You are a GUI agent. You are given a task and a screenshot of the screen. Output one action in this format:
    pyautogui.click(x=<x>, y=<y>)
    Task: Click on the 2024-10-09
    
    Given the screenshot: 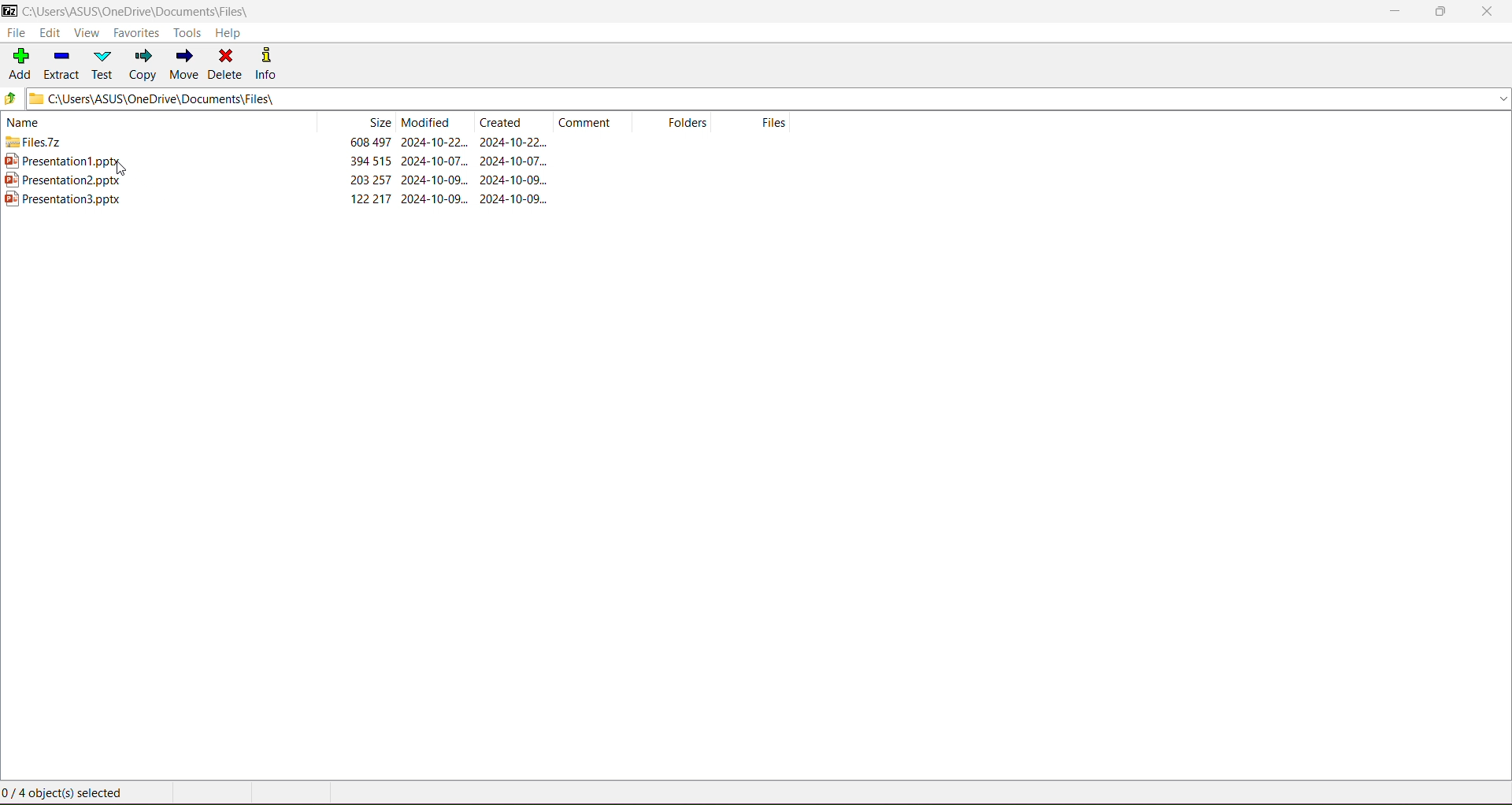 What is the action you would take?
    pyautogui.click(x=513, y=180)
    